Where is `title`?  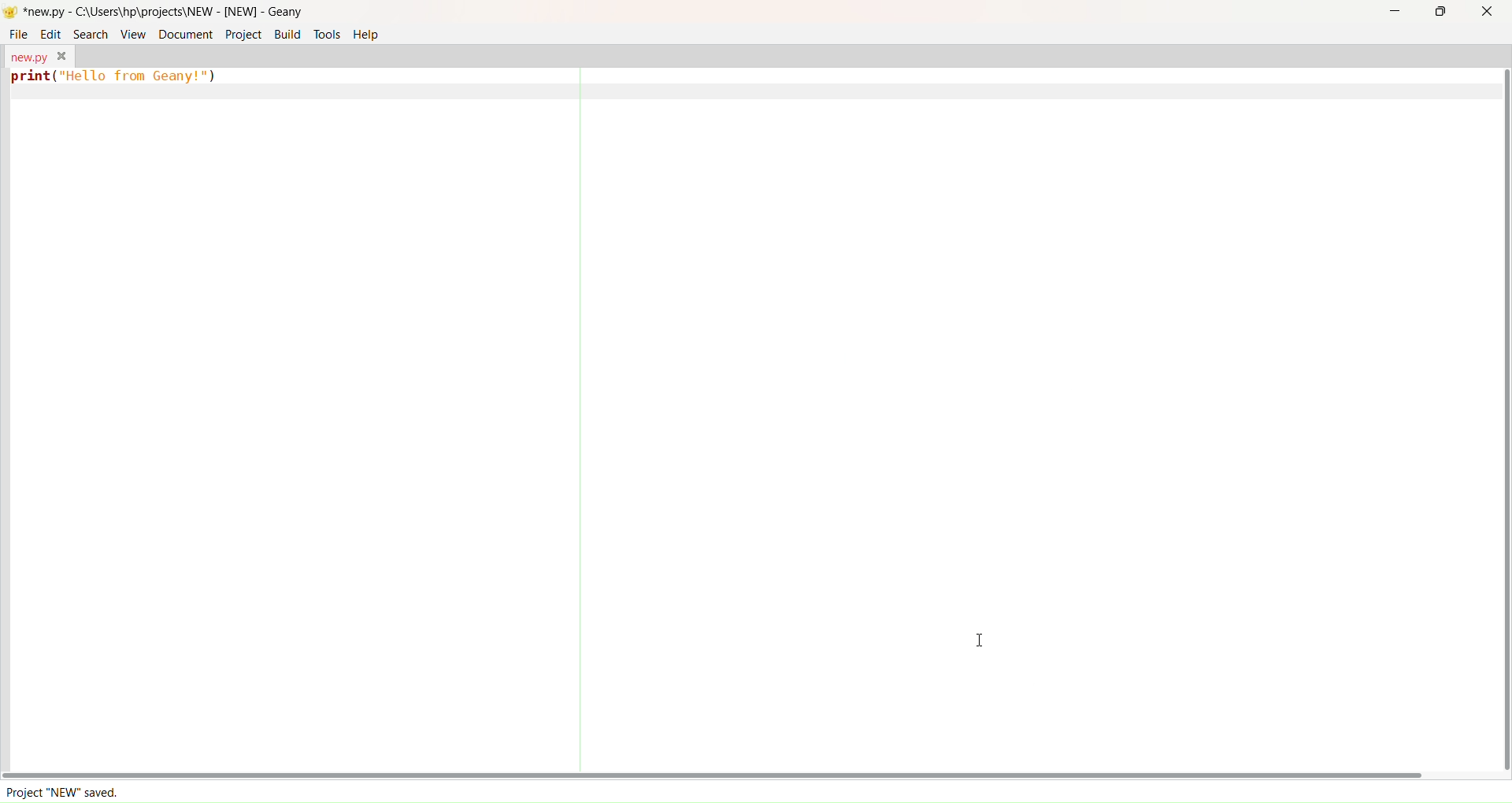 title is located at coordinates (164, 11).